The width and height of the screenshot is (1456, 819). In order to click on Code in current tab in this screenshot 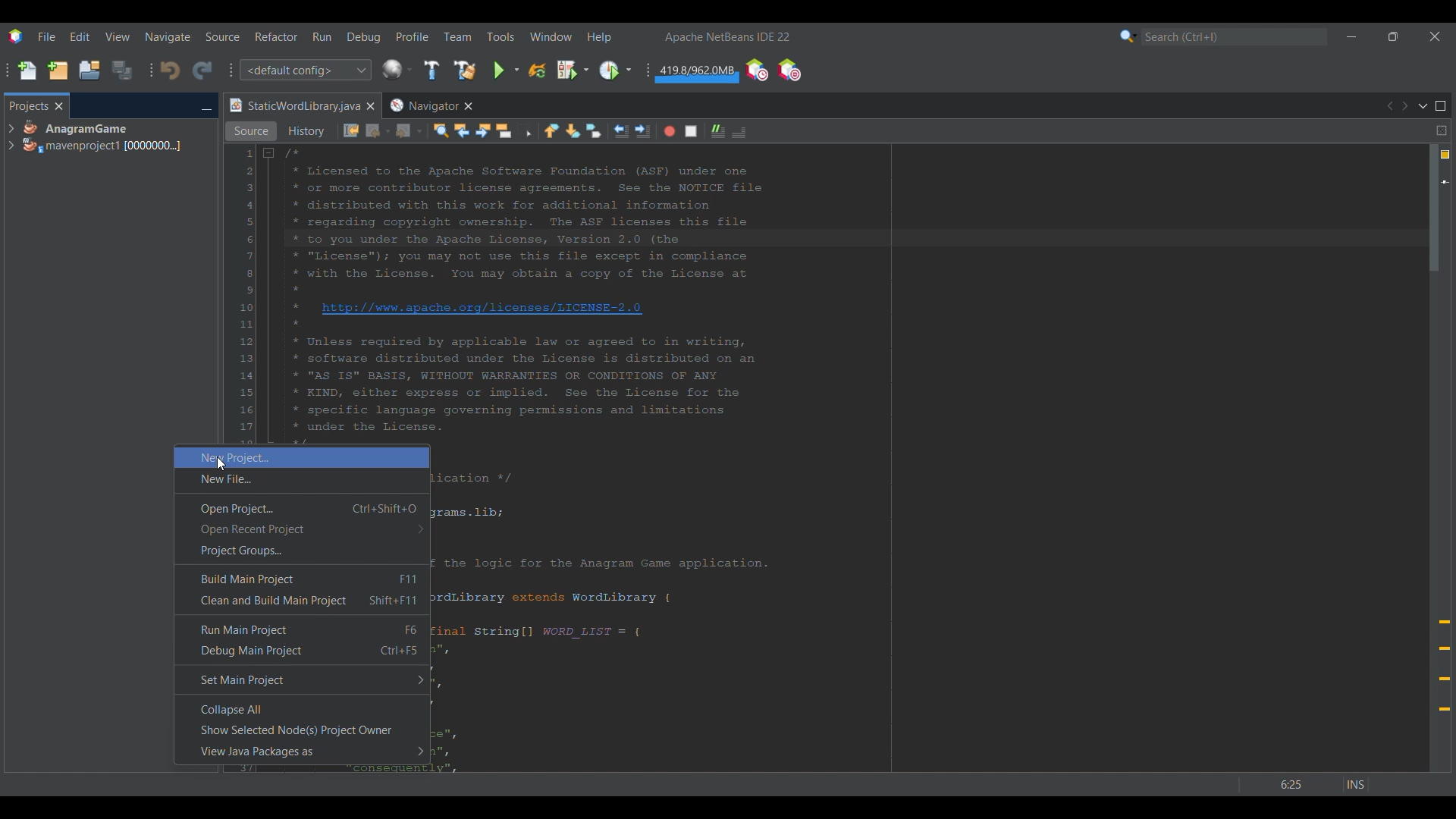, I will do `click(824, 293)`.